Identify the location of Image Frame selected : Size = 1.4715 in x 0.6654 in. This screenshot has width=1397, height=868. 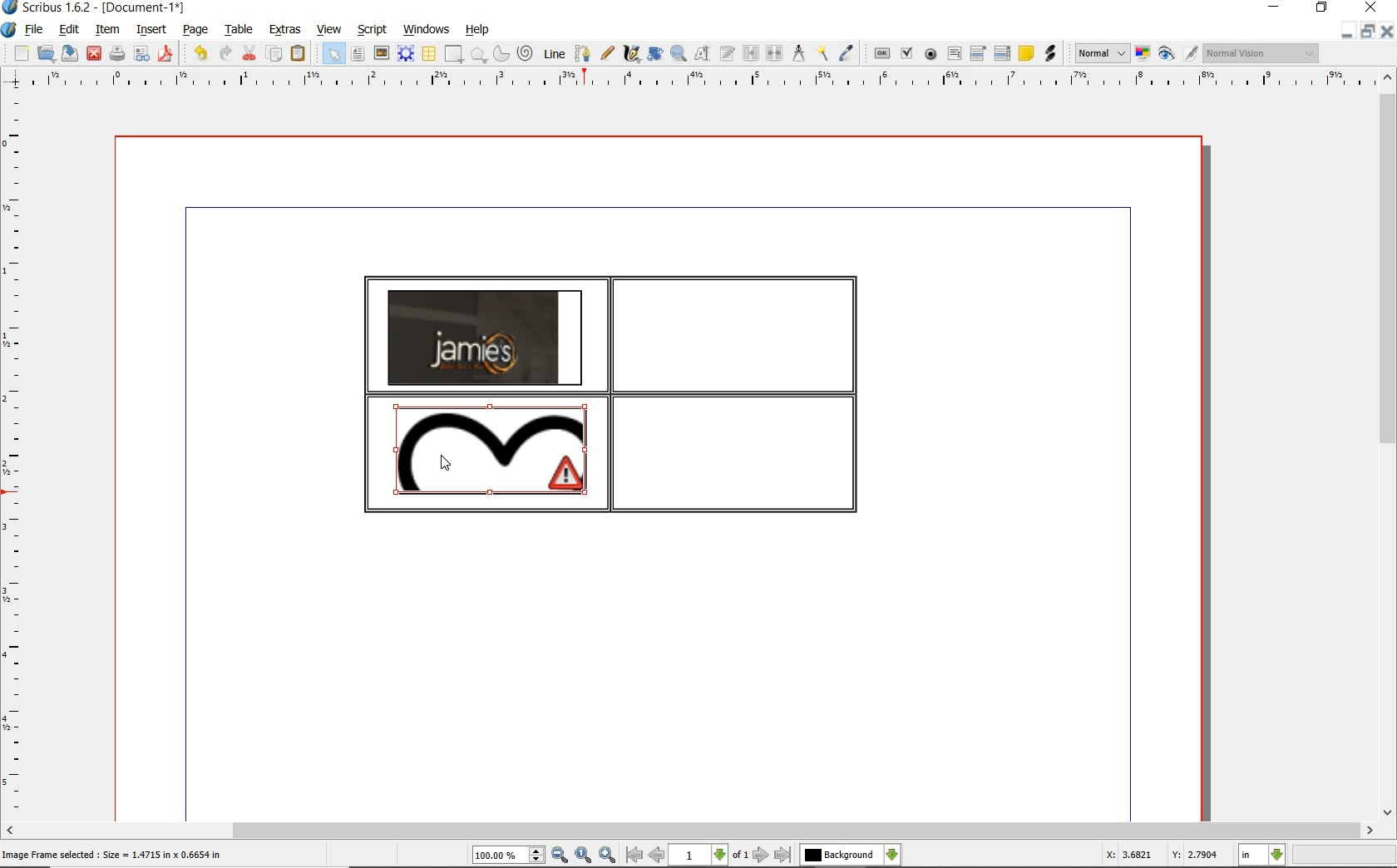
(114, 855).